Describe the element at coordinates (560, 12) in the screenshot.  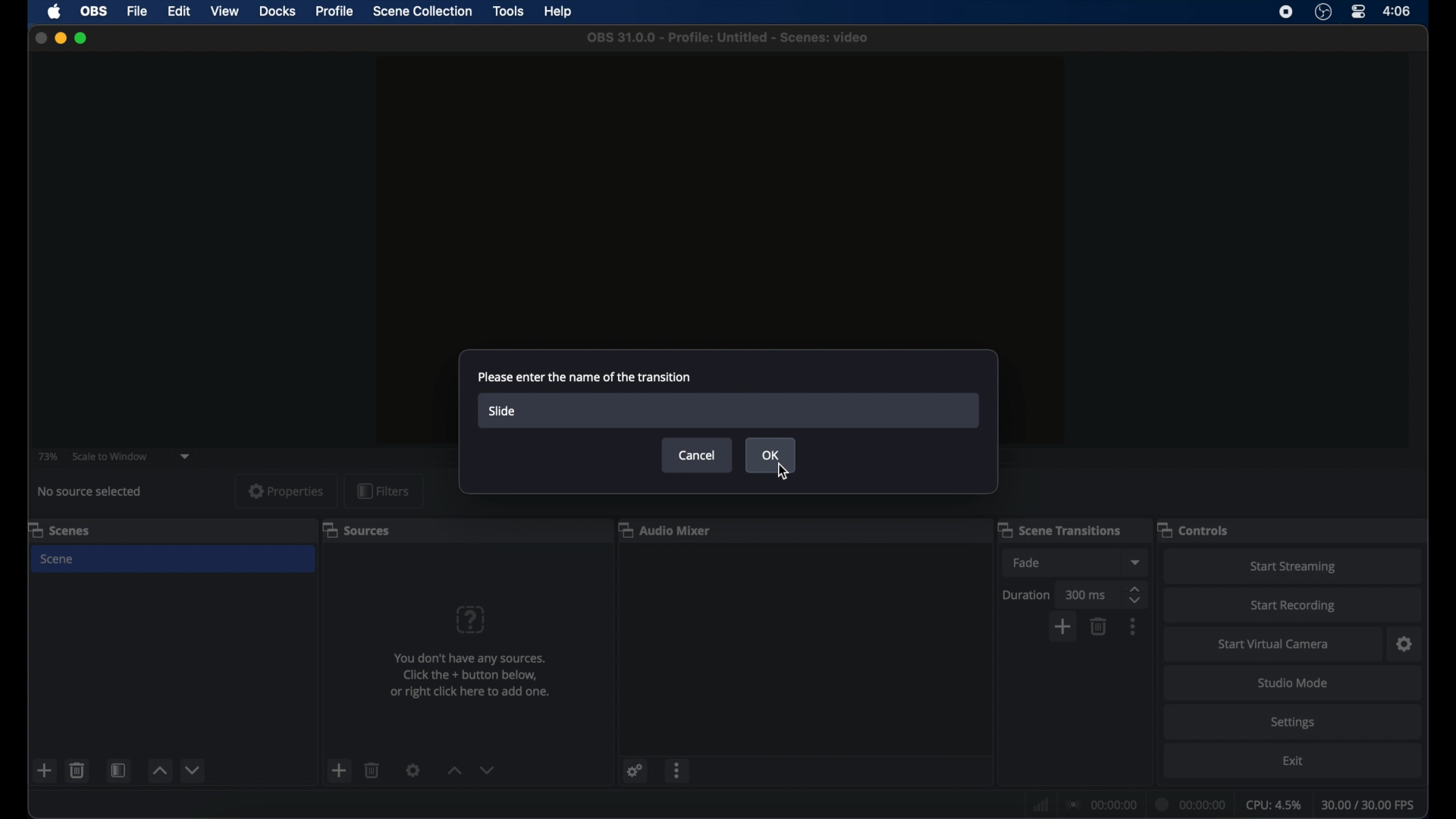
I see `help` at that location.